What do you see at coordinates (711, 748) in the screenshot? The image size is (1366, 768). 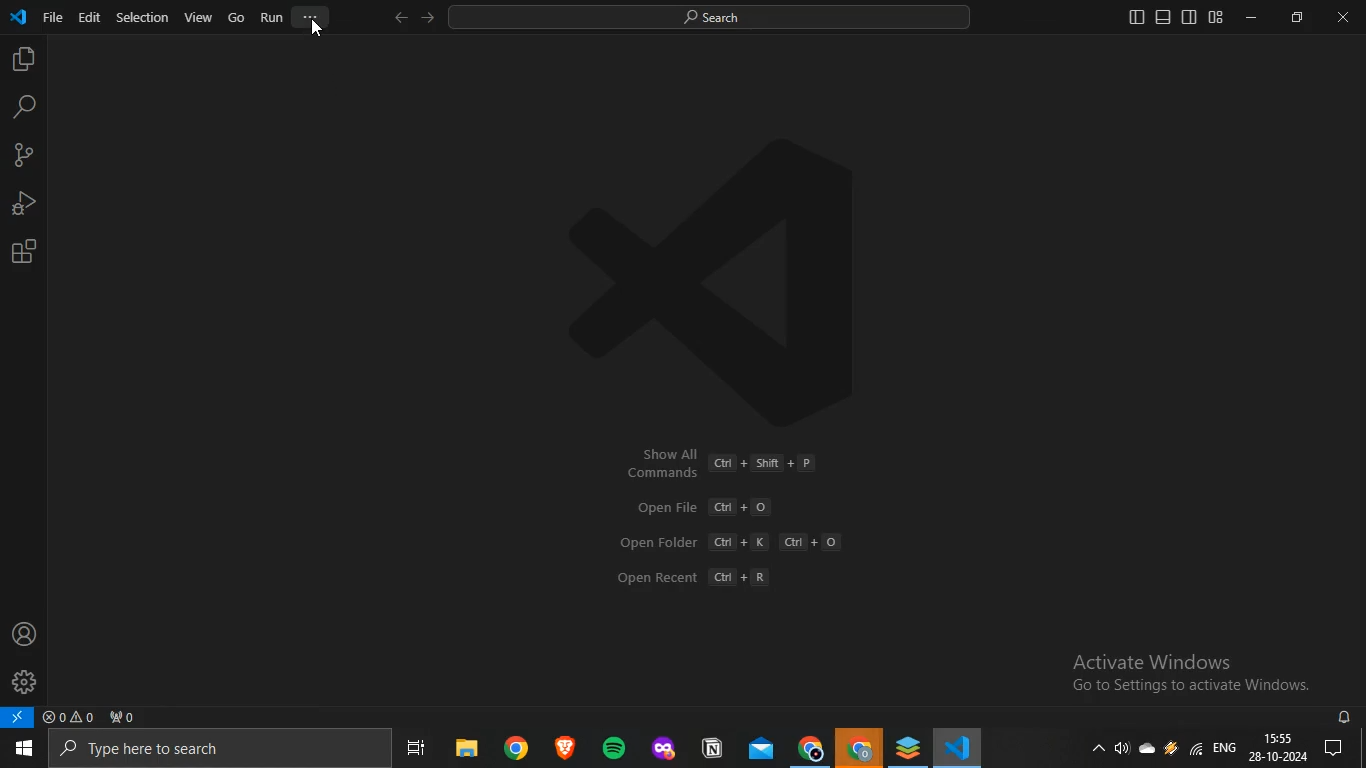 I see `notion` at bounding box center [711, 748].